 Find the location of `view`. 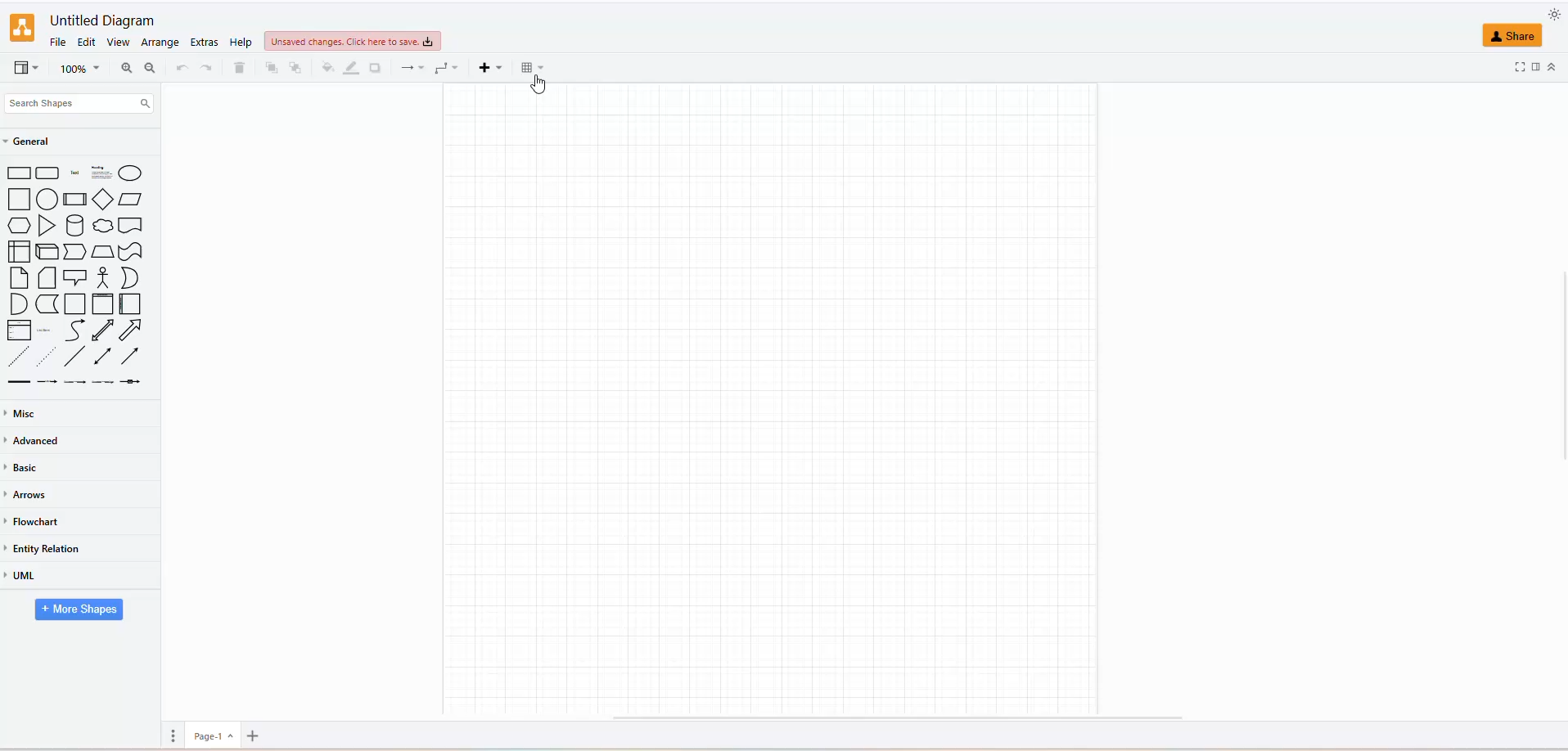

view is located at coordinates (122, 43).